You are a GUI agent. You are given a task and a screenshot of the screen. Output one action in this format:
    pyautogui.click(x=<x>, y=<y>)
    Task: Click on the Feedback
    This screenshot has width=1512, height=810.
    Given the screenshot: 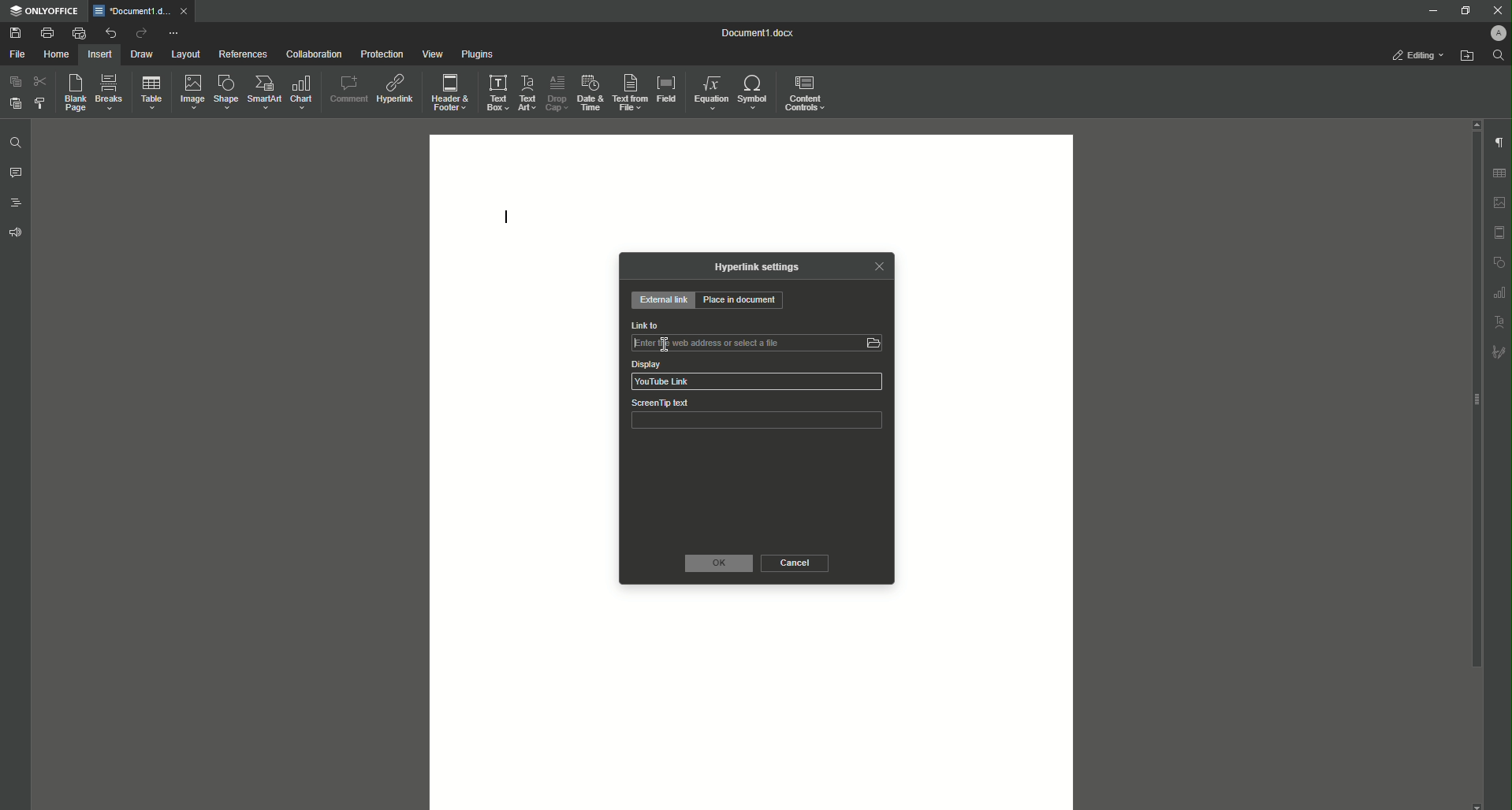 What is the action you would take?
    pyautogui.click(x=16, y=232)
    